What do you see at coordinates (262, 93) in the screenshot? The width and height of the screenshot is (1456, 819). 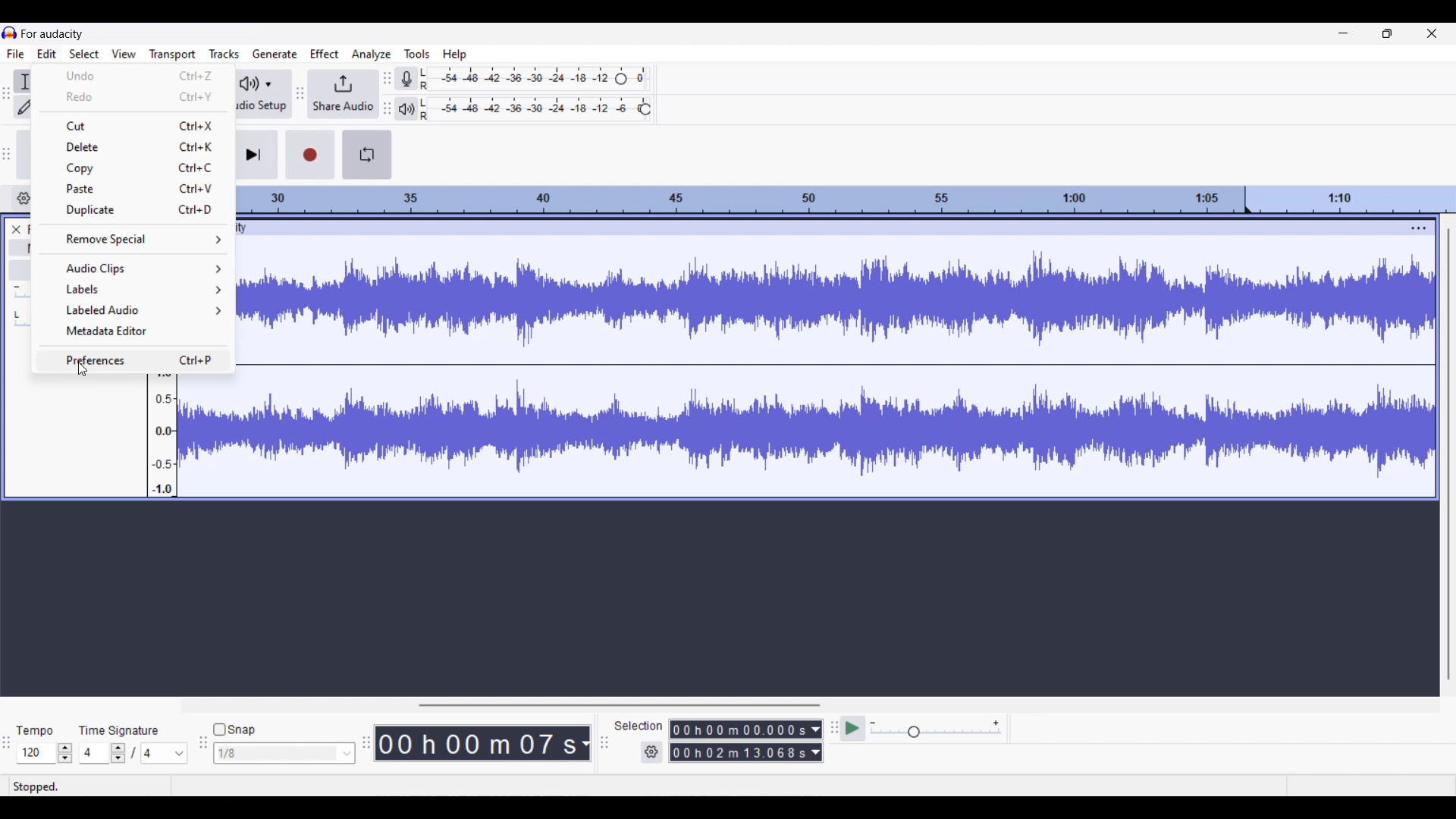 I see `Audio setup` at bounding box center [262, 93].